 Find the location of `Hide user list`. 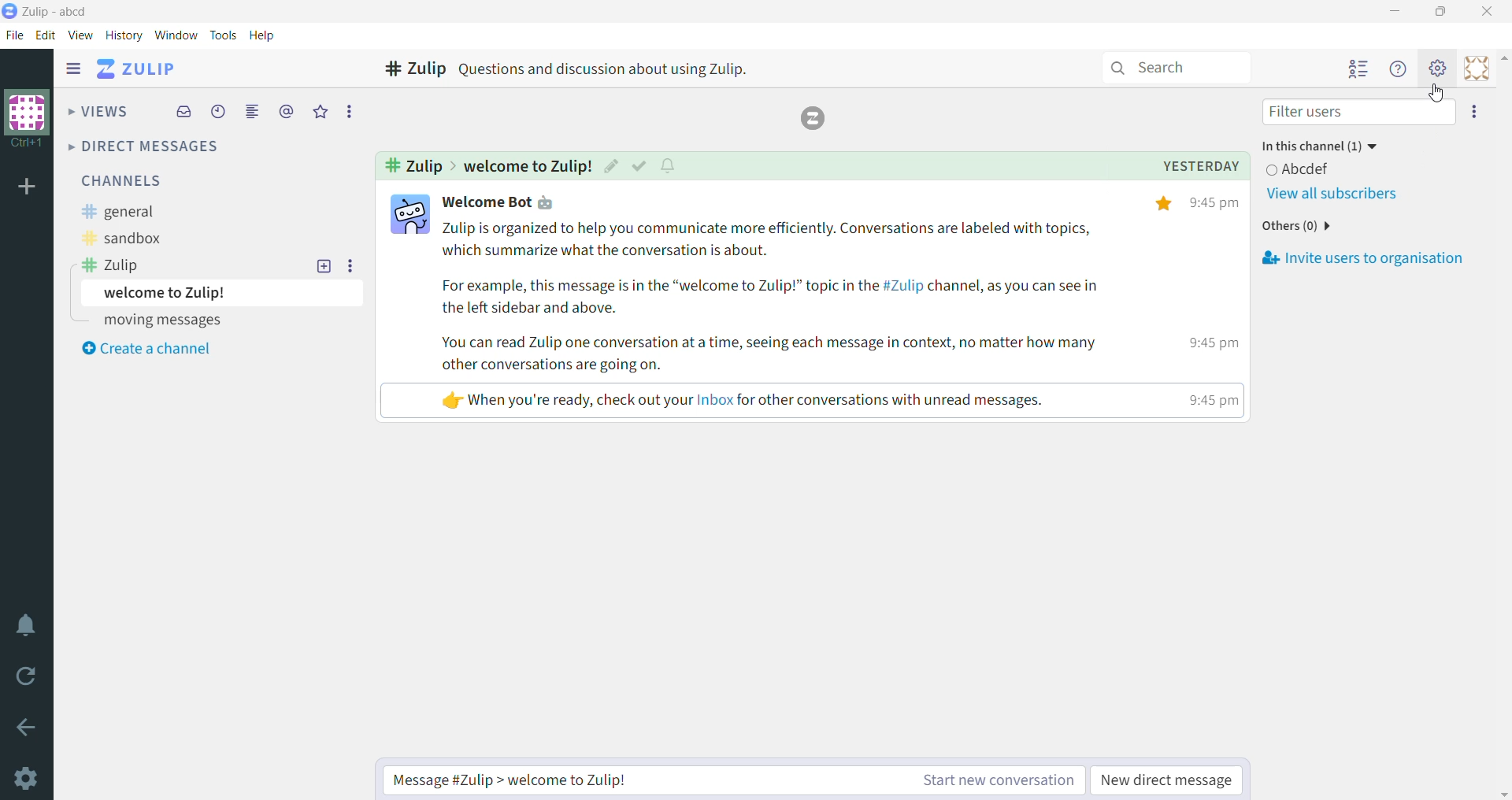

Hide user list is located at coordinates (1358, 70).